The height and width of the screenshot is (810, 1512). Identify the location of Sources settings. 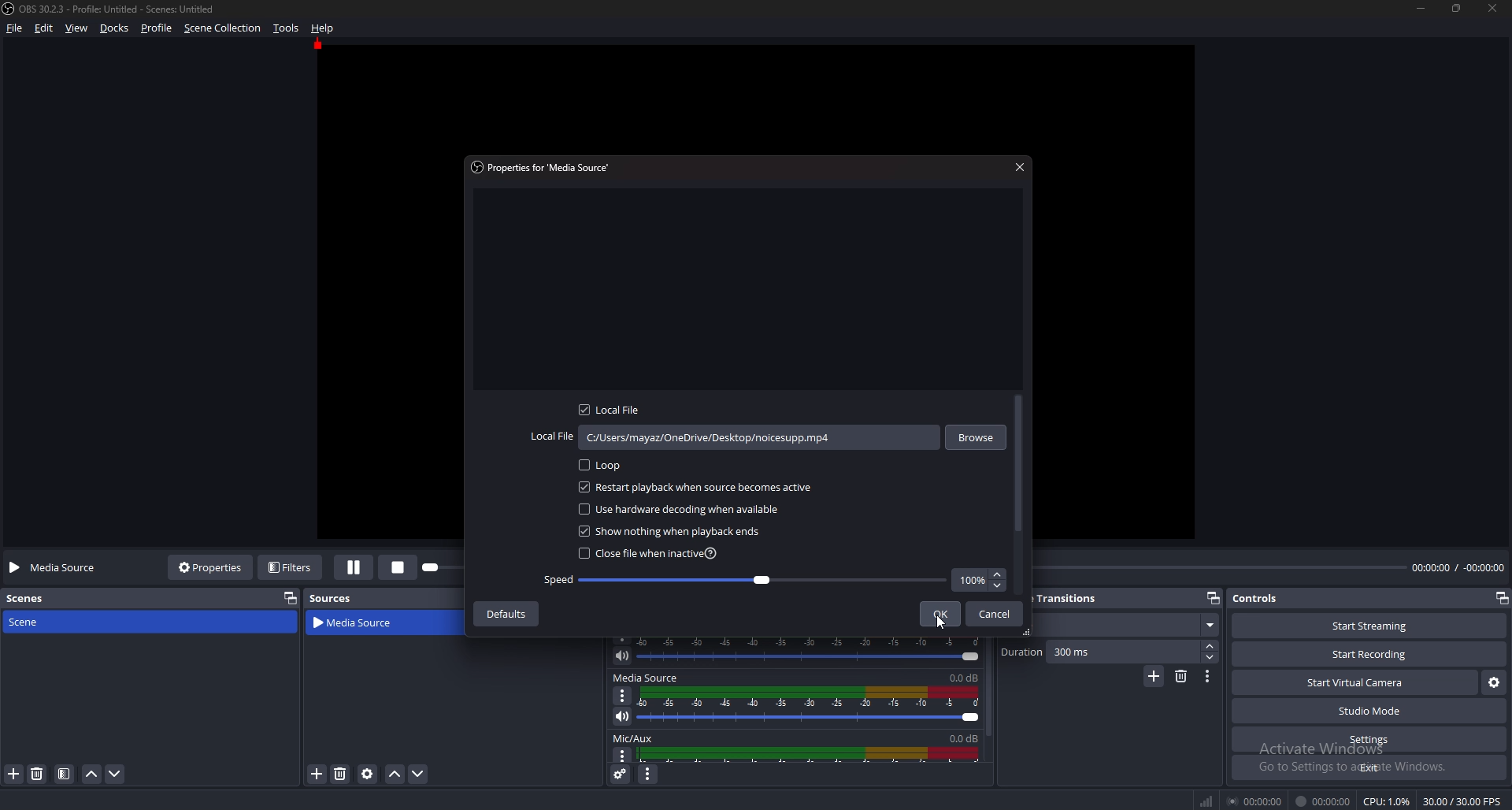
(369, 774).